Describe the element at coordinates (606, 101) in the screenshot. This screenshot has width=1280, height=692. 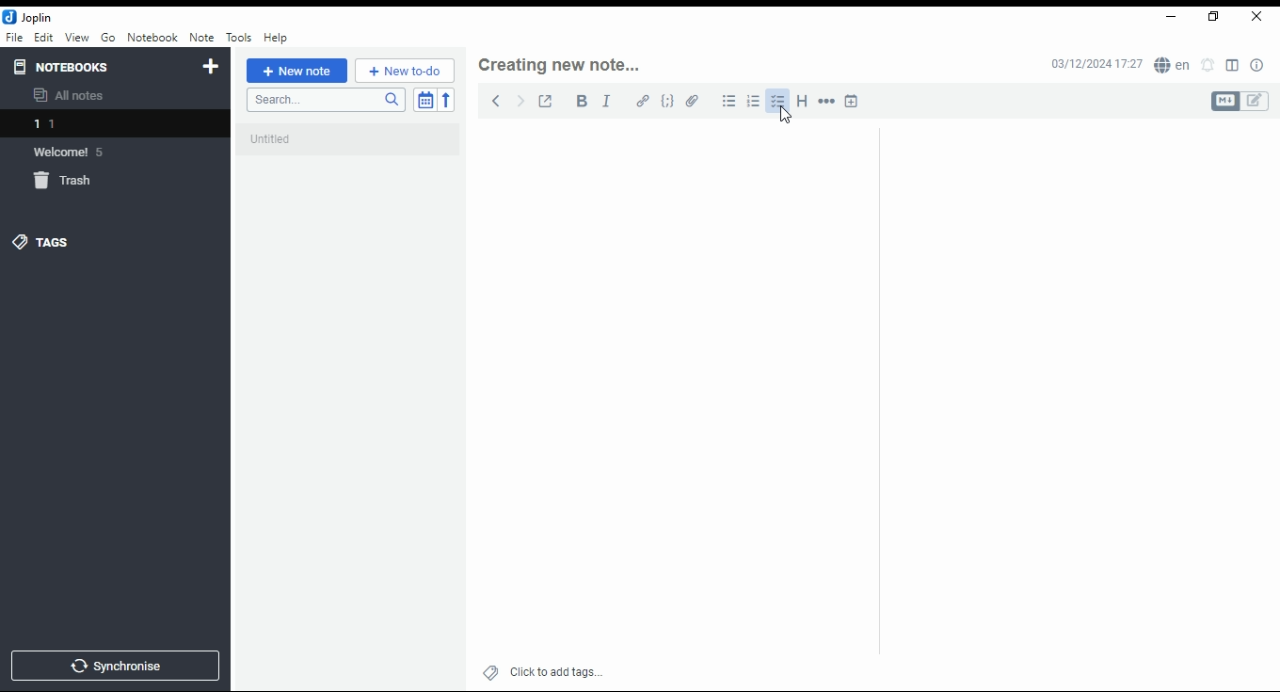
I see `italics` at that location.